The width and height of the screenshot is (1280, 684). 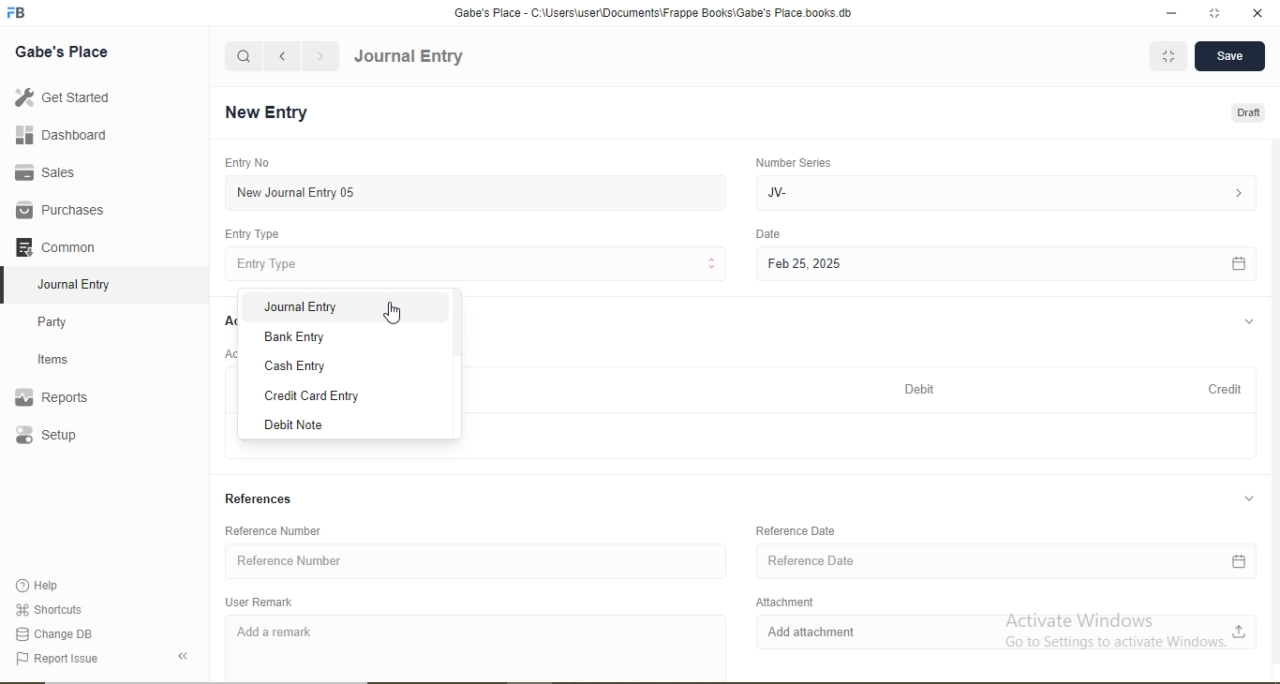 What do you see at coordinates (1249, 322) in the screenshot?
I see `collapse/expand` at bounding box center [1249, 322].